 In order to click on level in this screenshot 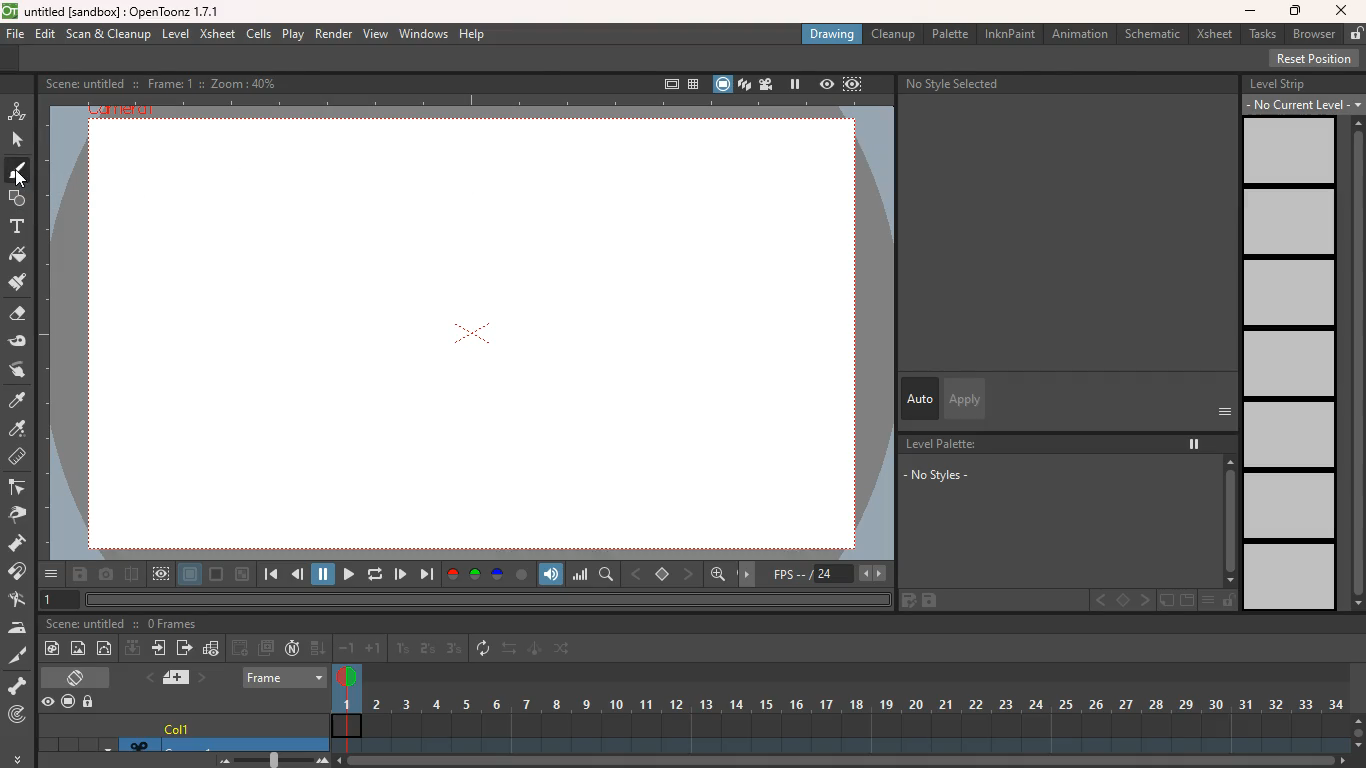, I will do `click(178, 33)`.